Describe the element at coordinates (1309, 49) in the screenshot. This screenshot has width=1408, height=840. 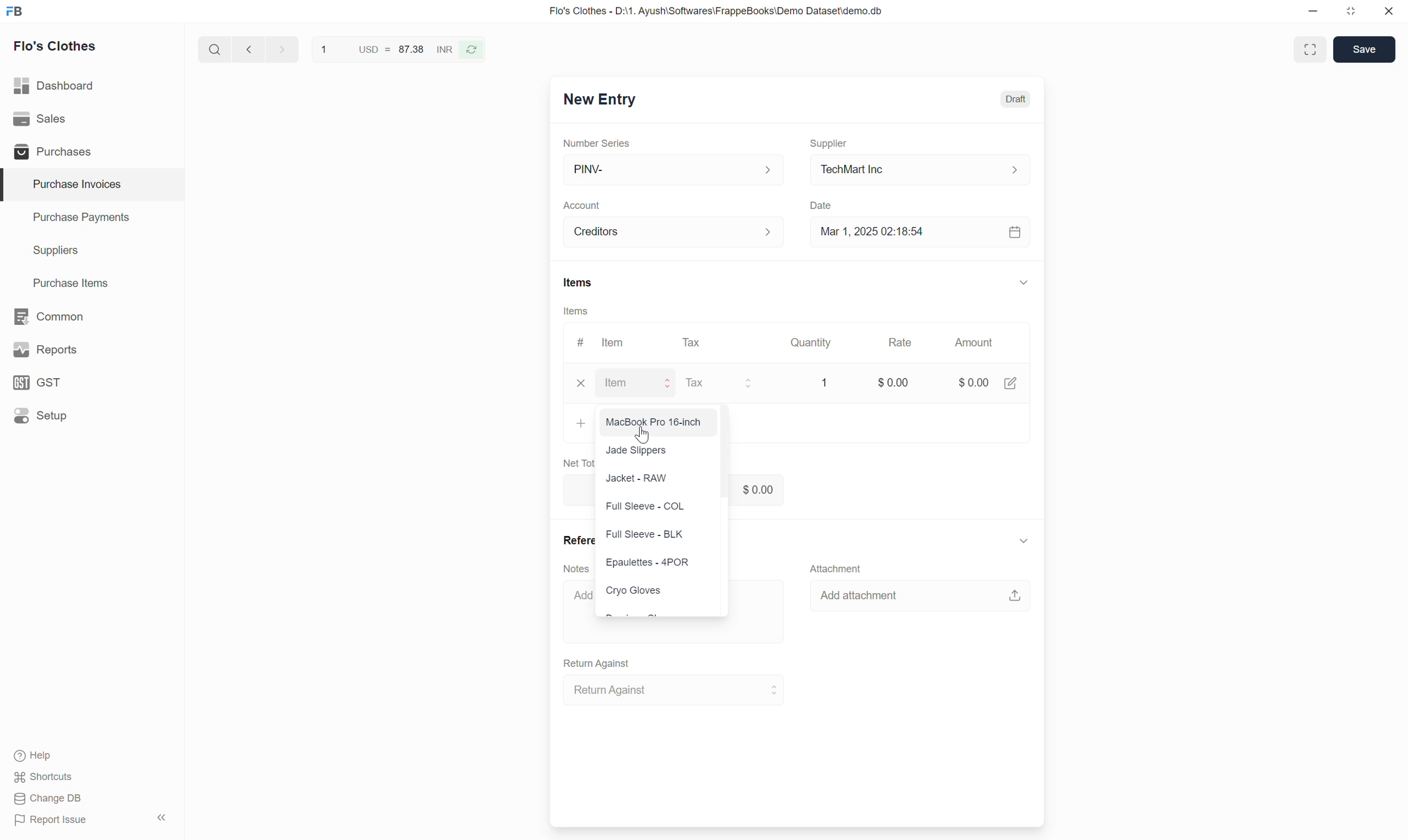
I see `Toggle between form and full width` at that location.